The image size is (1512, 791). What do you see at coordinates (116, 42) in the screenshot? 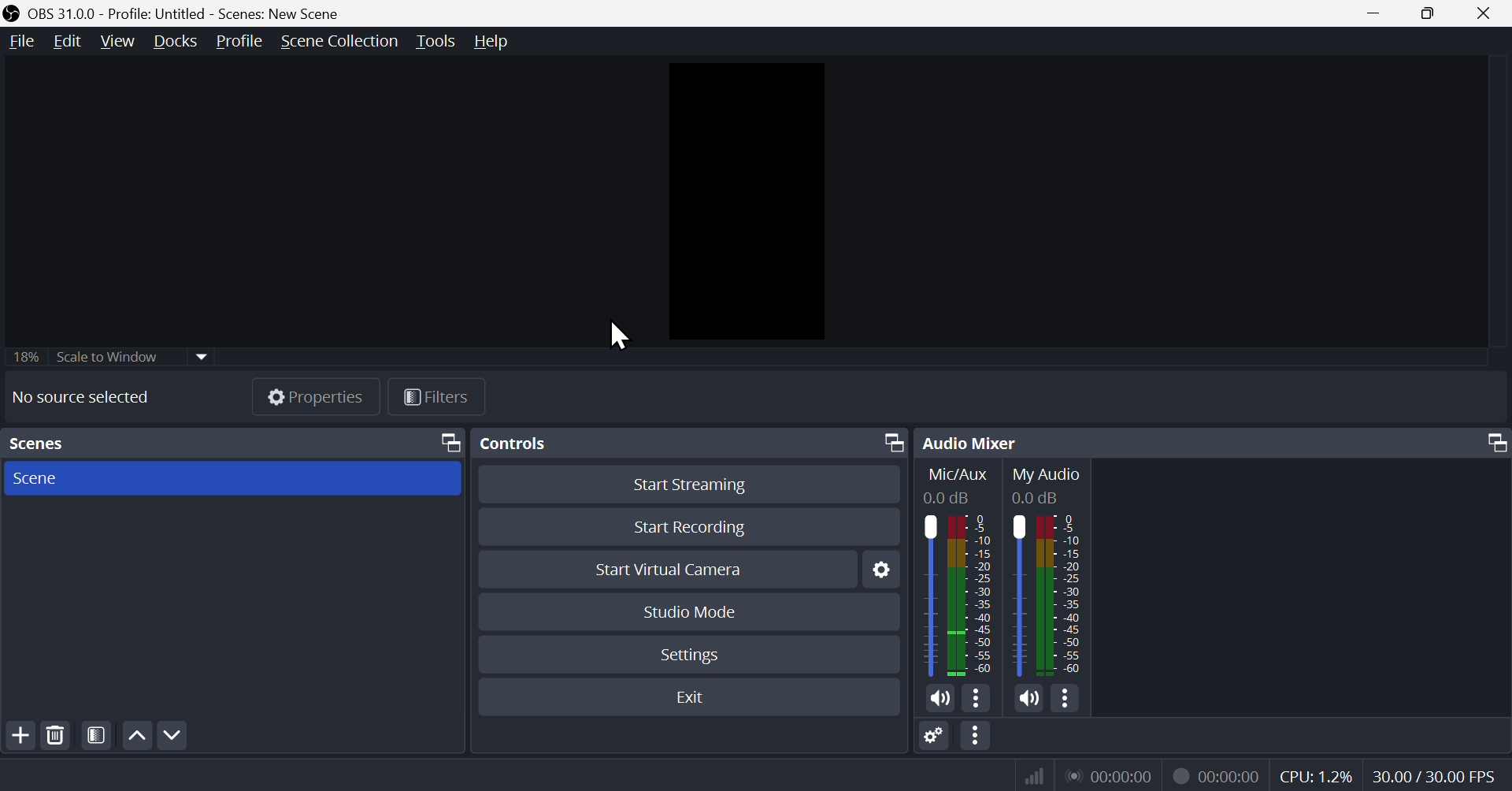
I see `View` at bounding box center [116, 42].